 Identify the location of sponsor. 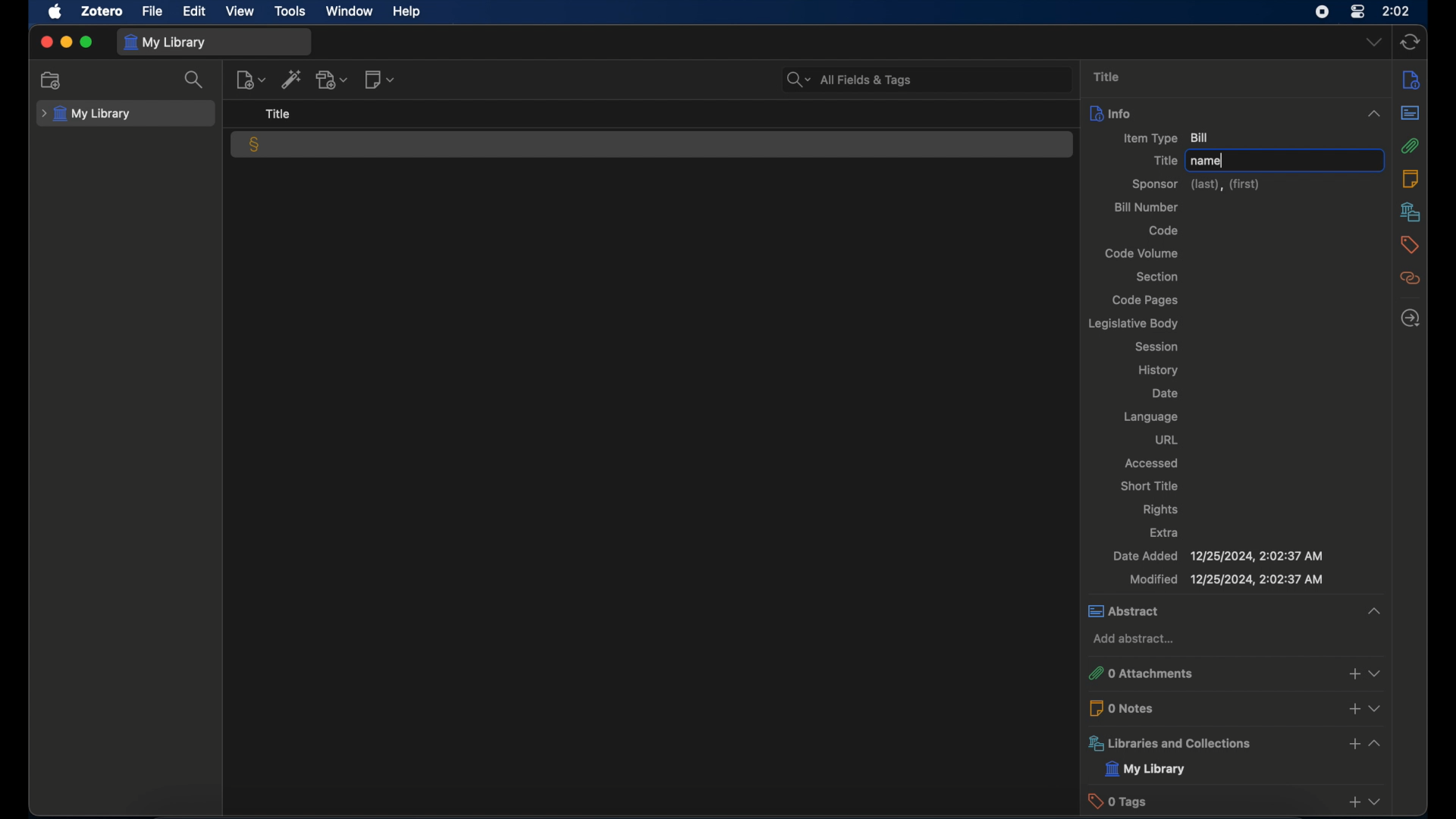
(1196, 186).